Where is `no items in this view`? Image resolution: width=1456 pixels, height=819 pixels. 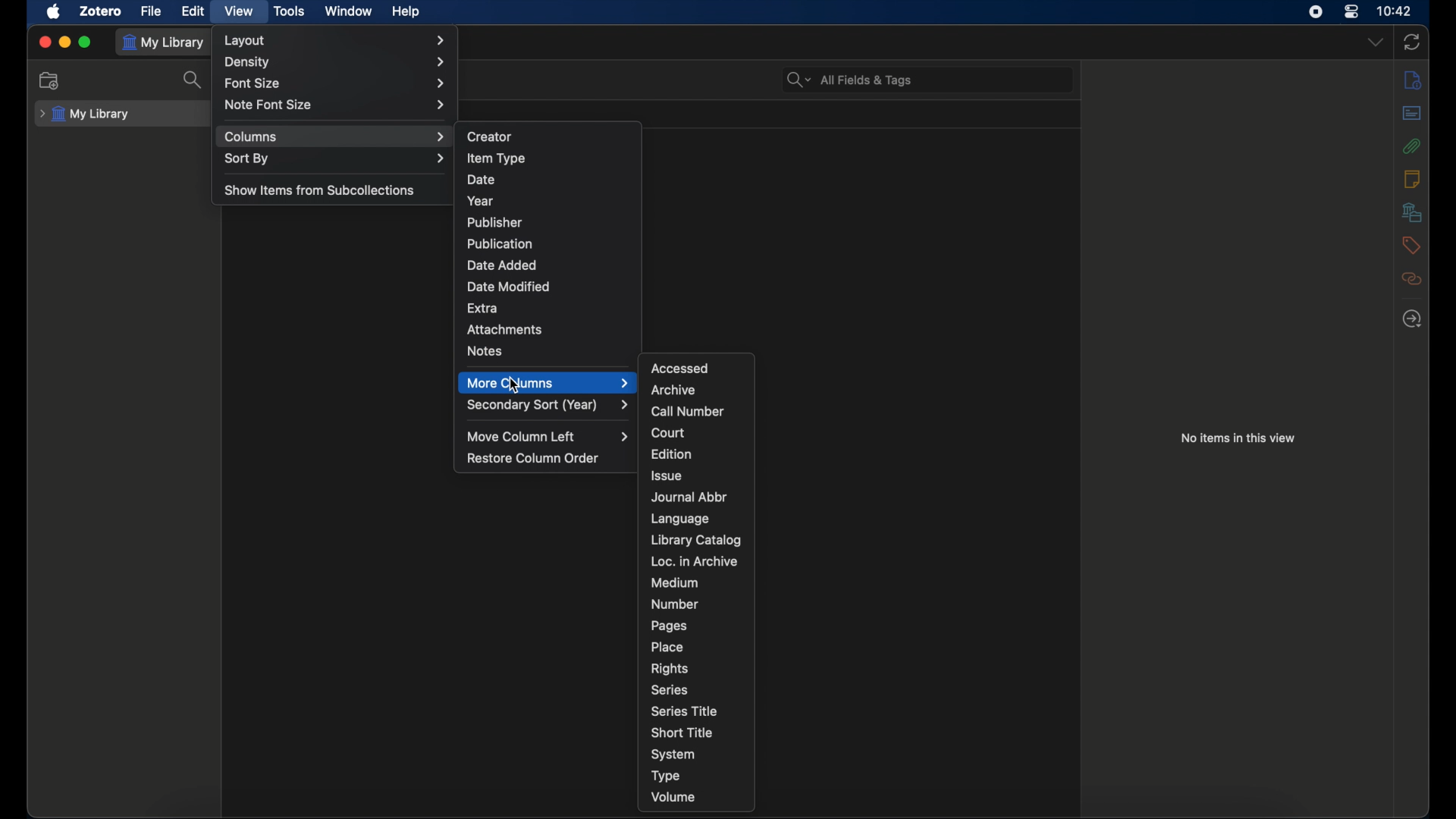
no items in this view is located at coordinates (1238, 438).